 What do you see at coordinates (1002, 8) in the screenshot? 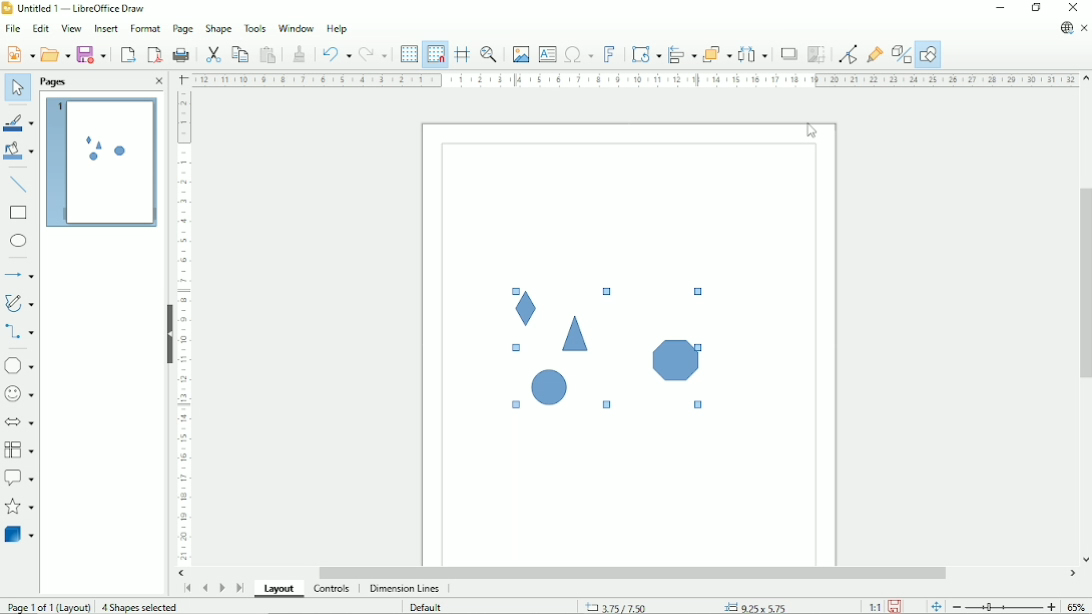
I see `Minimize` at bounding box center [1002, 8].